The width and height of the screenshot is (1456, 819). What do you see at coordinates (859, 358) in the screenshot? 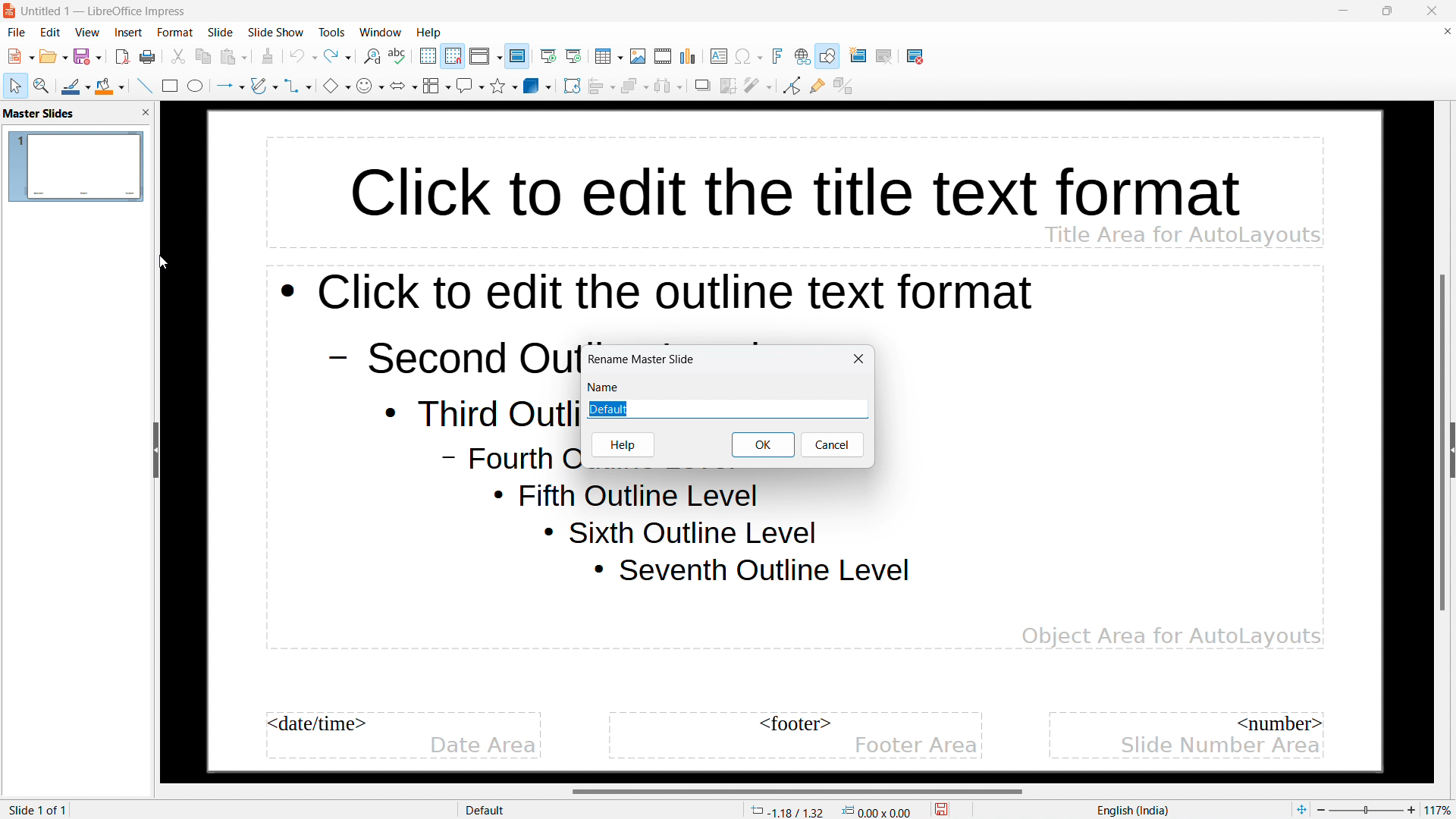
I see `close rename window` at bounding box center [859, 358].